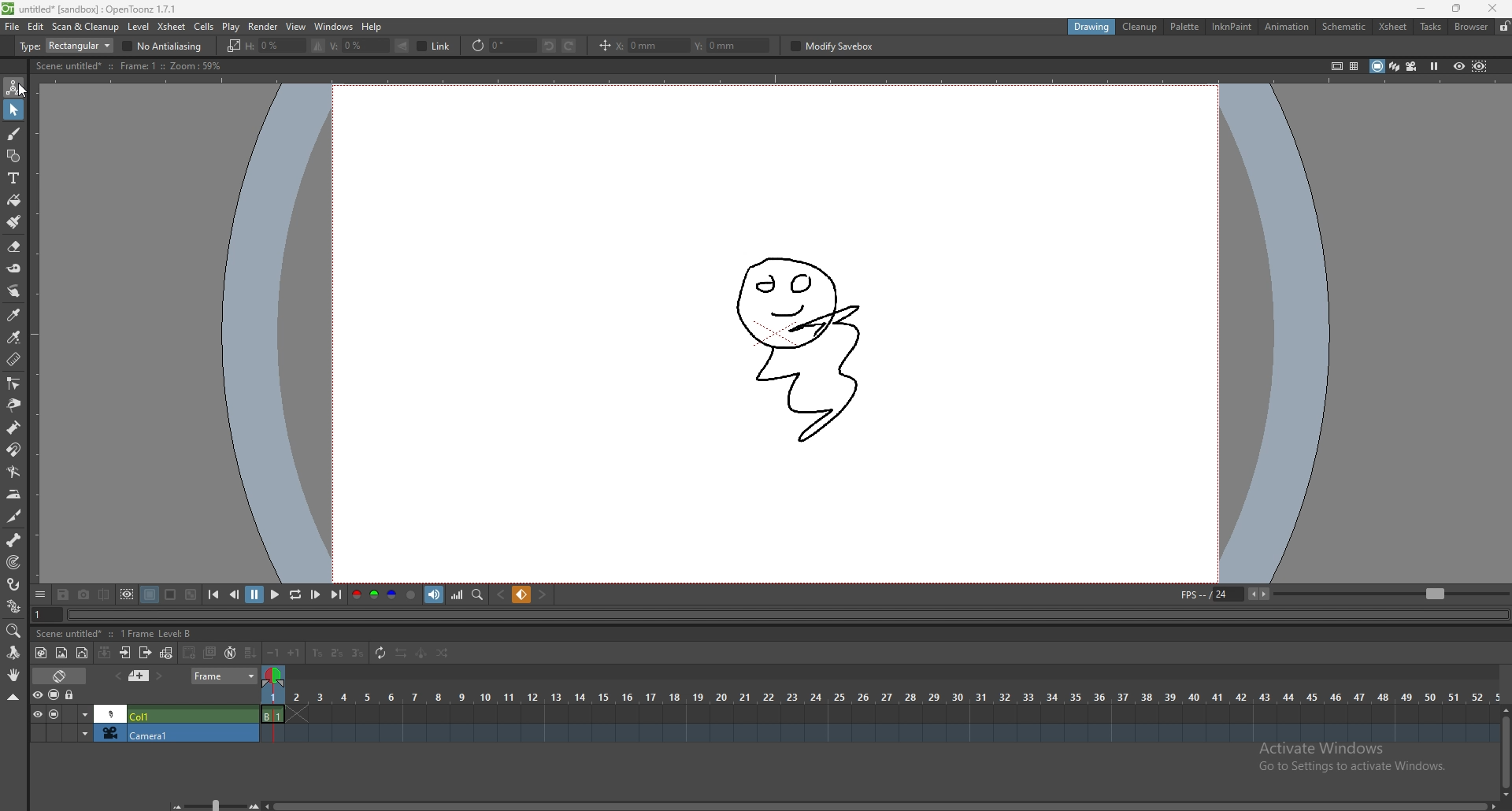  What do you see at coordinates (14, 135) in the screenshot?
I see `brush` at bounding box center [14, 135].